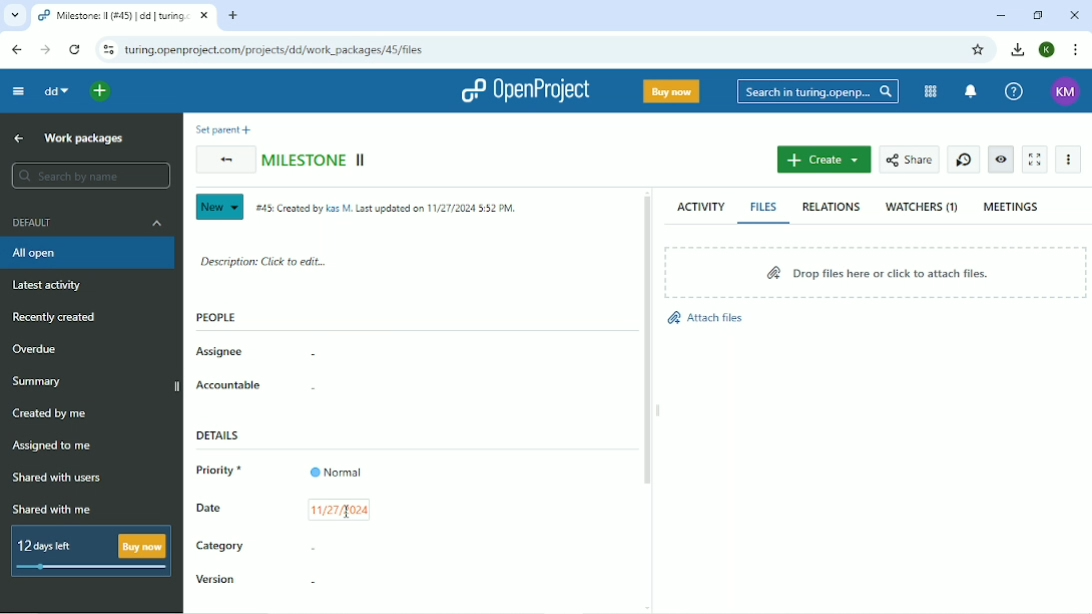 Image resolution: width=1092 pixels, height=614 pixels. I want to click on Start new timer, so click(964, 160).